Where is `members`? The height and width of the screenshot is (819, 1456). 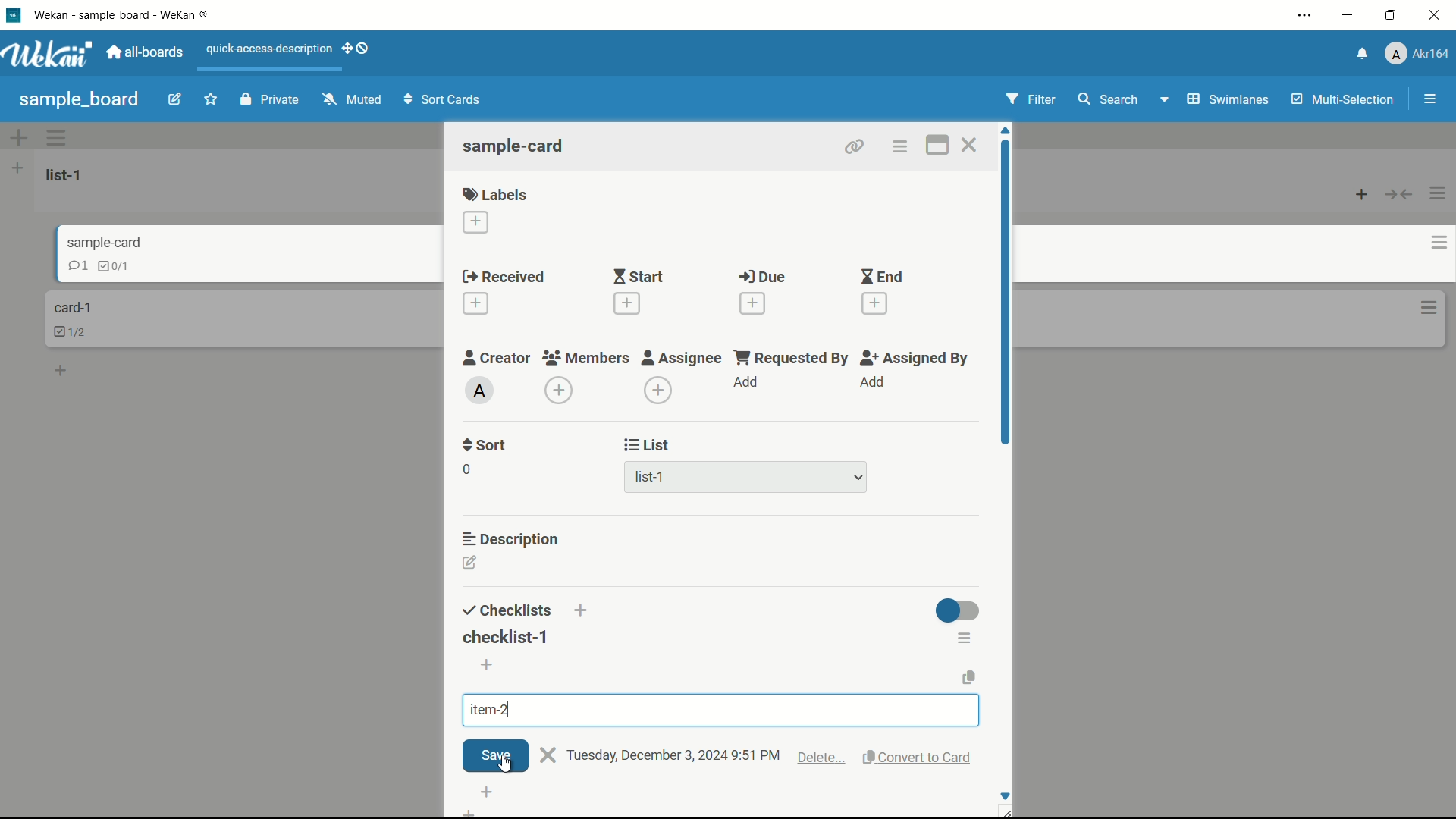 members is located at coordinates (584, 358).